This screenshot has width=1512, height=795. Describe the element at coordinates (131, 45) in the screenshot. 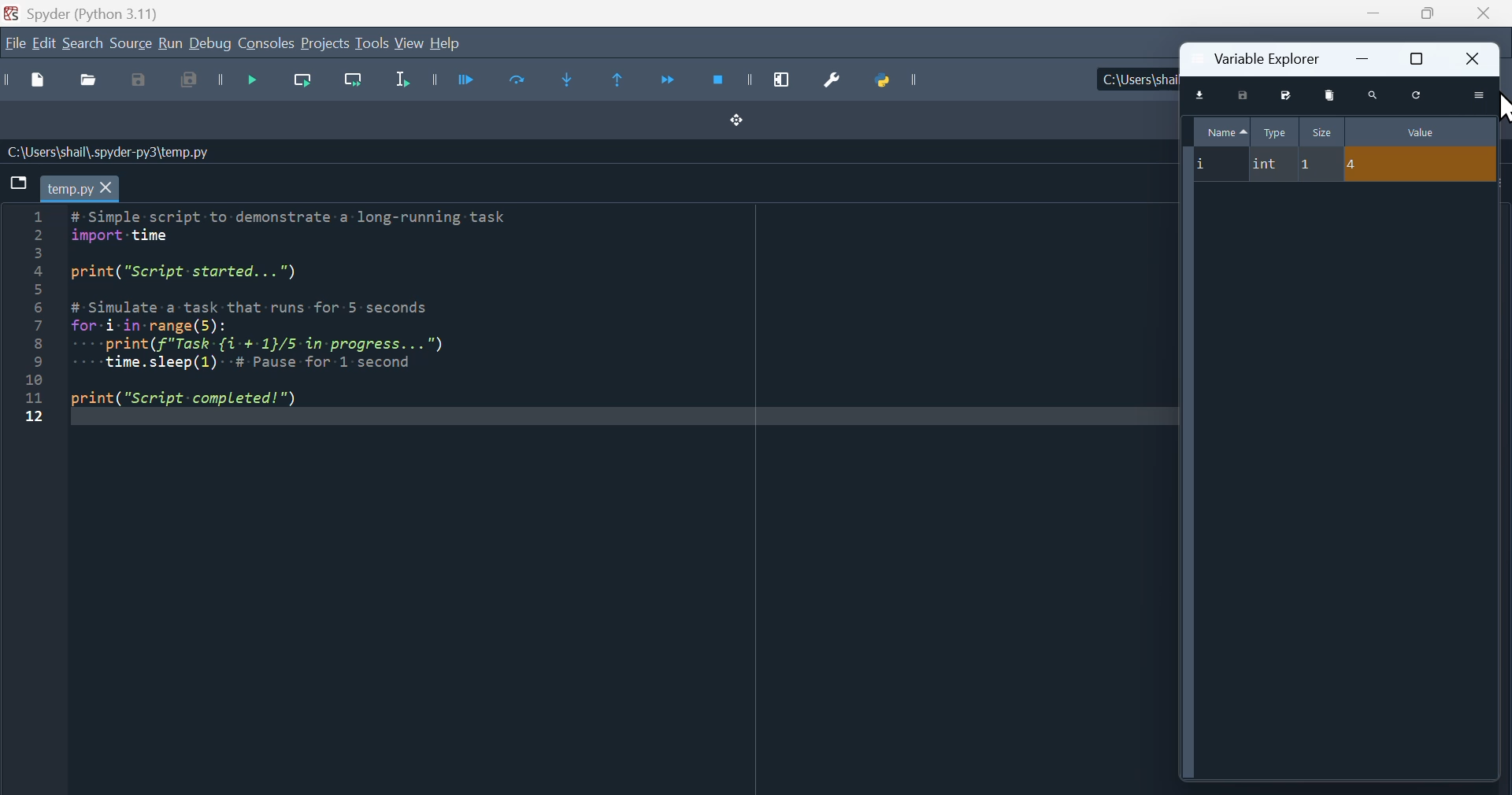

I see `source` at that location.